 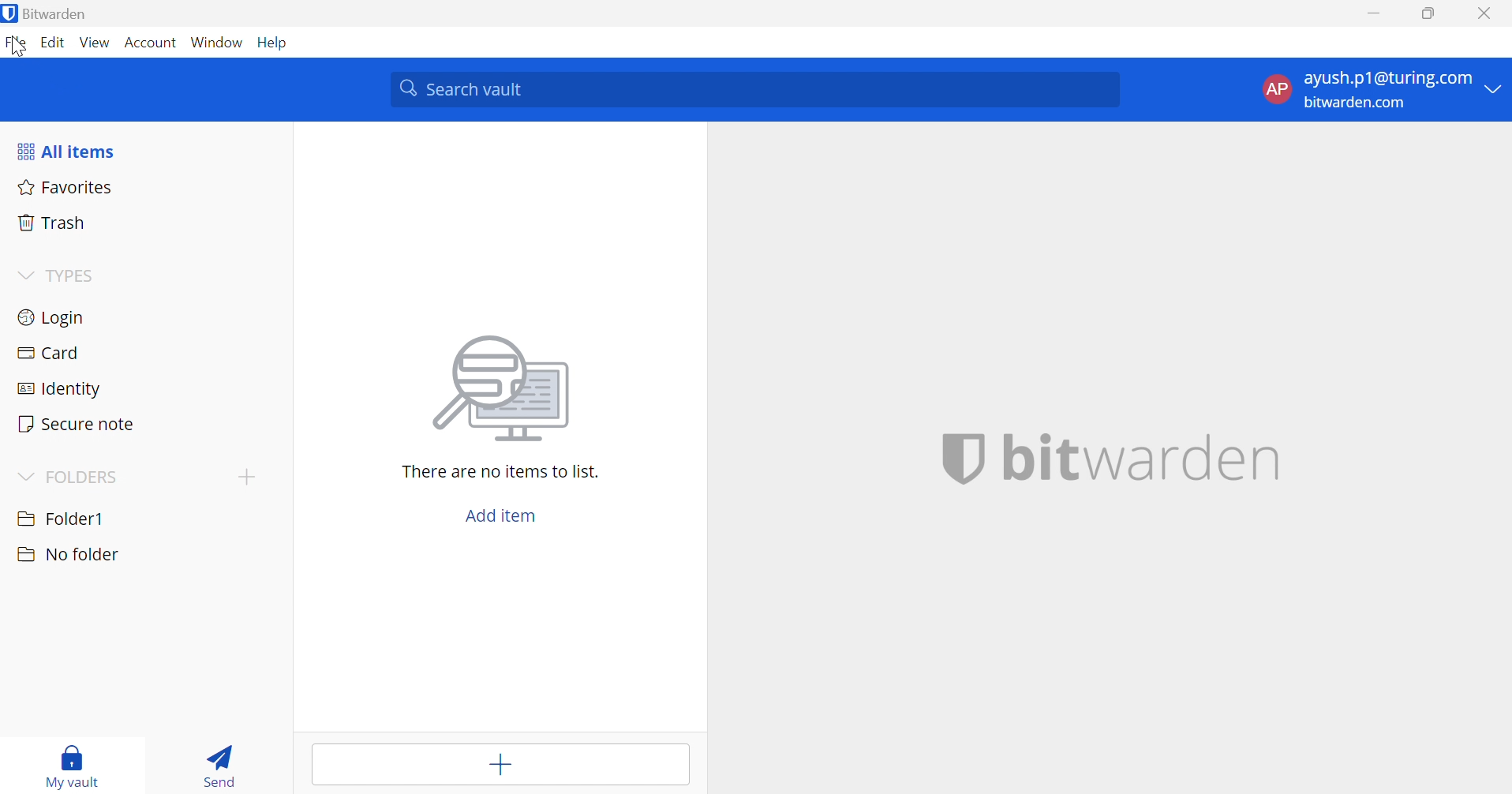 What do you see at coordinates (1143, 455) in the screenshot?
I see `bitwarden` at bounding box center [1143, 455].